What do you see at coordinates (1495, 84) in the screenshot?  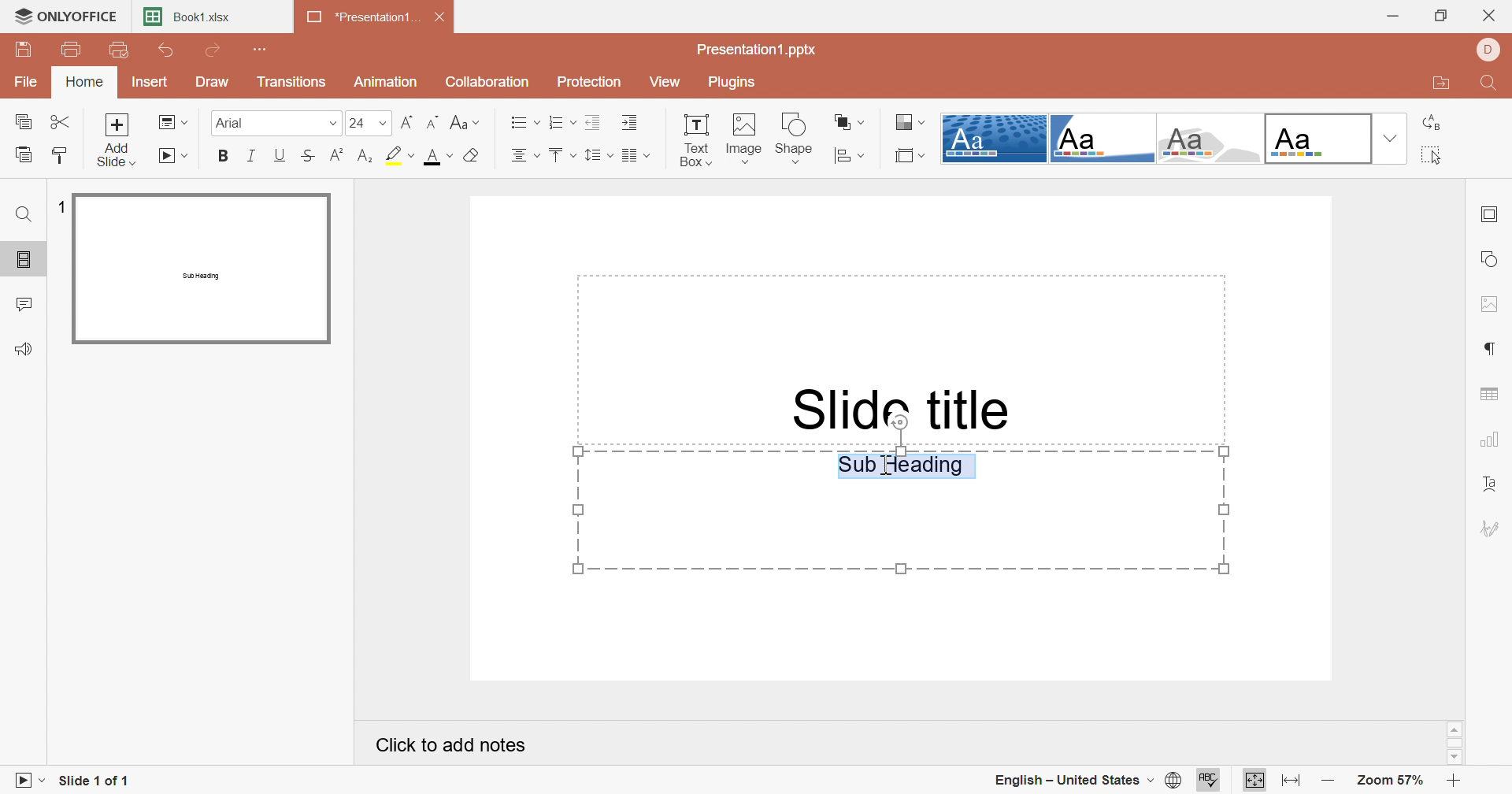 I see `Find` at bounding box center [1495, 84].